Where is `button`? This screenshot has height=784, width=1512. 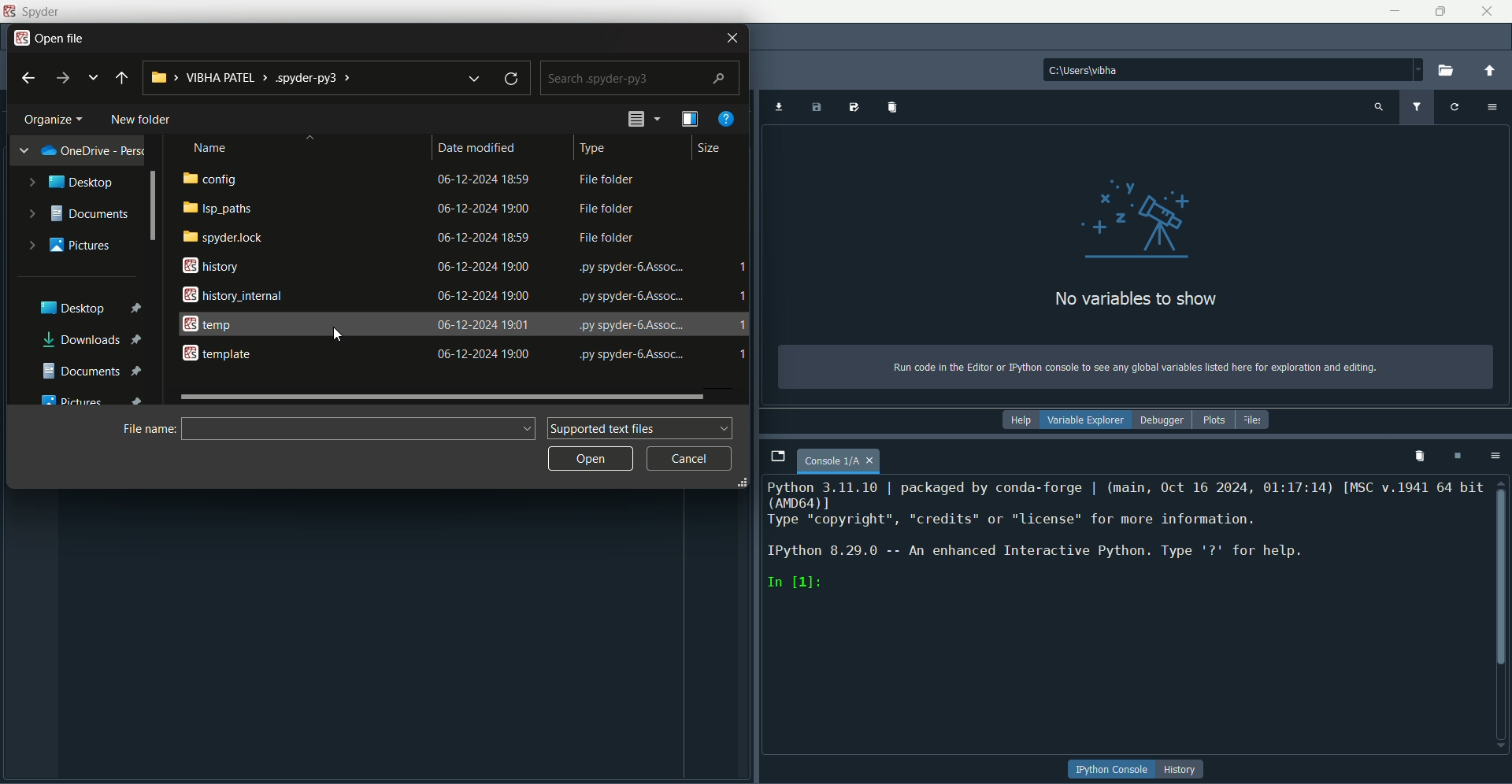
button is located at coordinates (1113, 768).